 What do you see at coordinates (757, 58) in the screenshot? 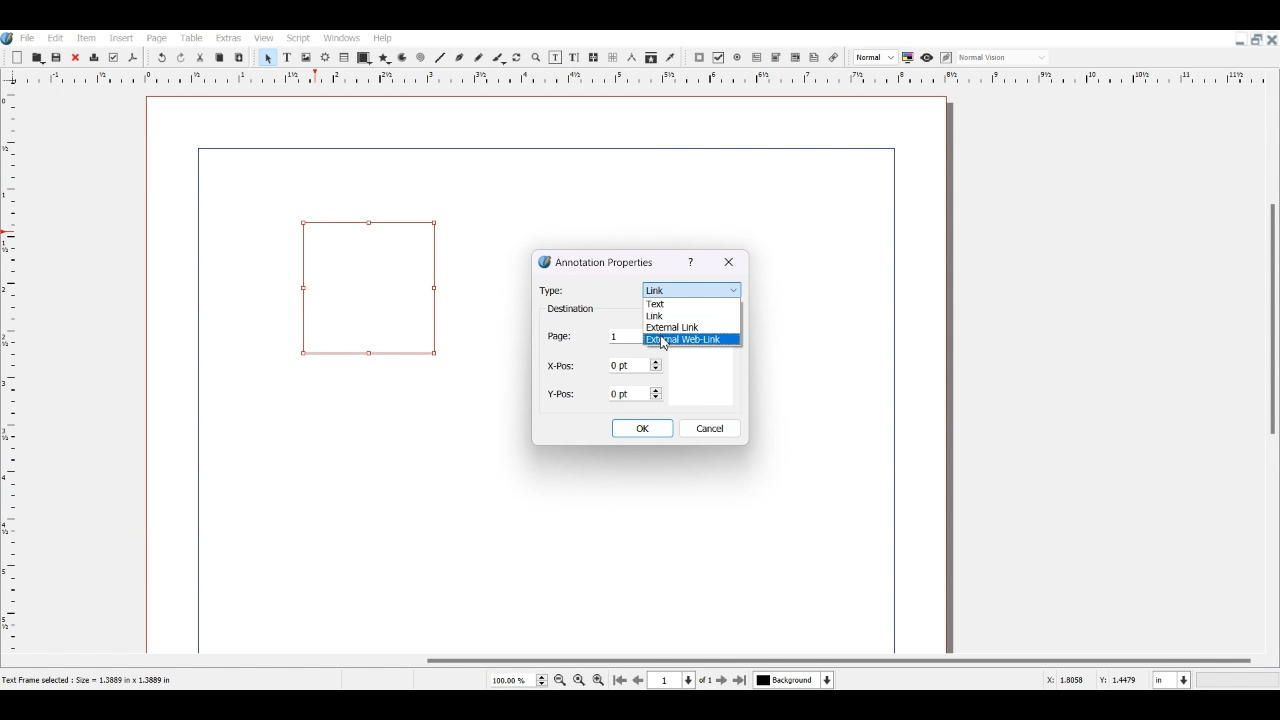
I see `PDF Text Field` at bounding box center [757, 58].